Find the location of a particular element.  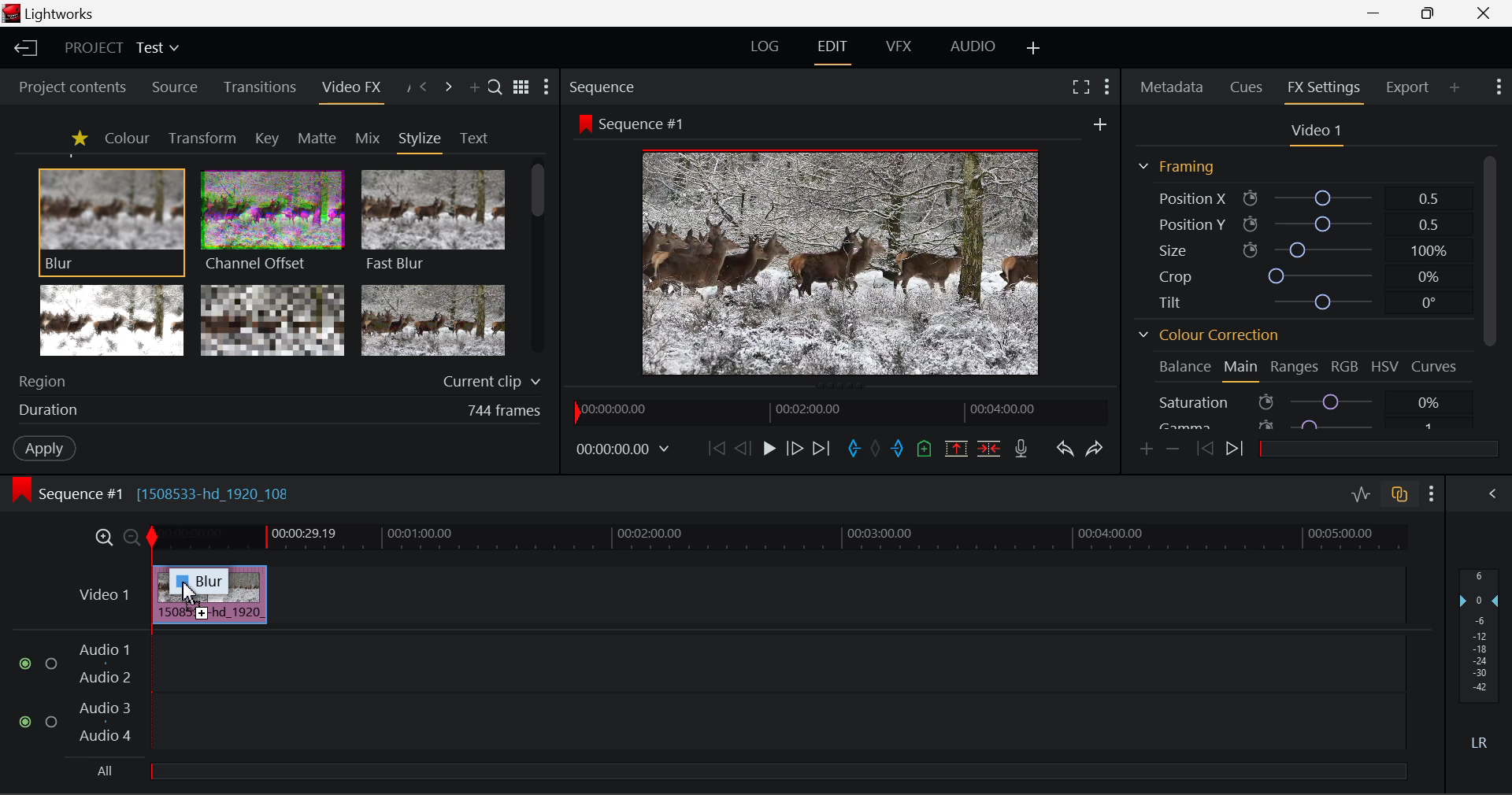

Restore Down is located at coordinates (1378, 13).